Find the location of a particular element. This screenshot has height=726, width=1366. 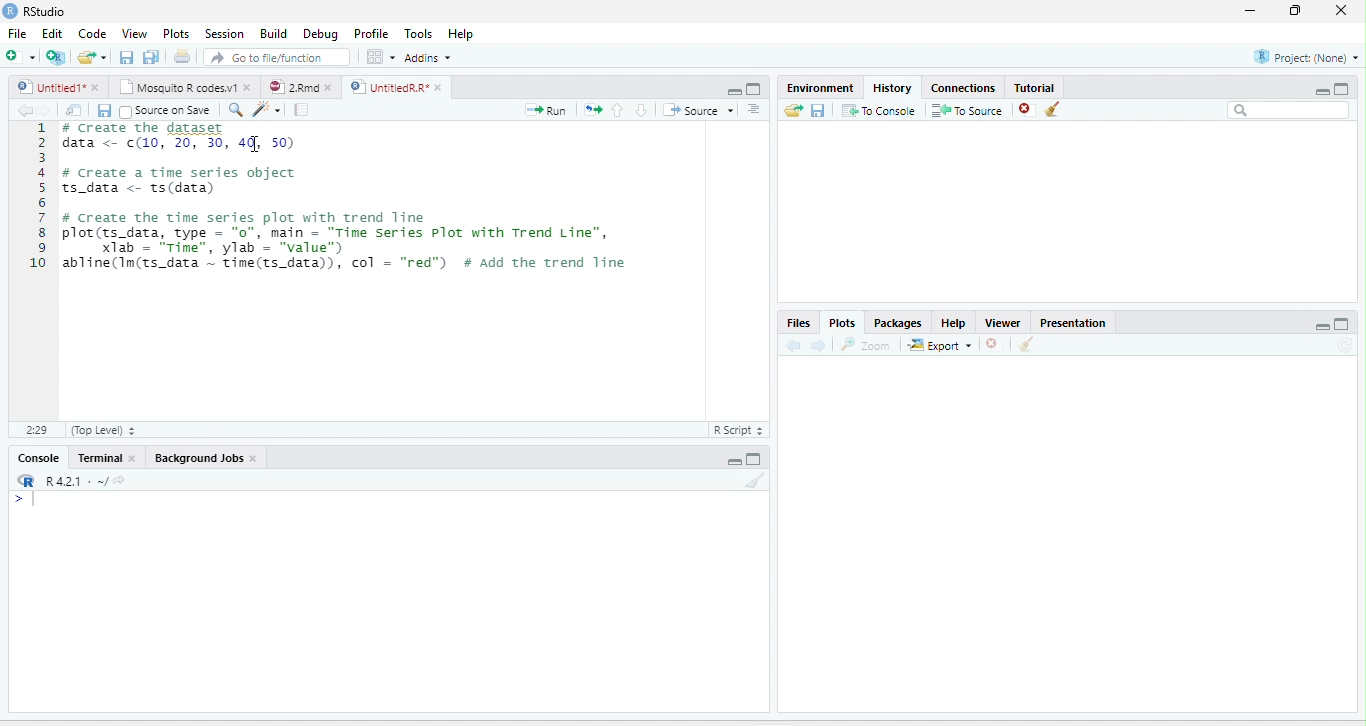

Go to next section/chunk is located at coordinates (641, 110).